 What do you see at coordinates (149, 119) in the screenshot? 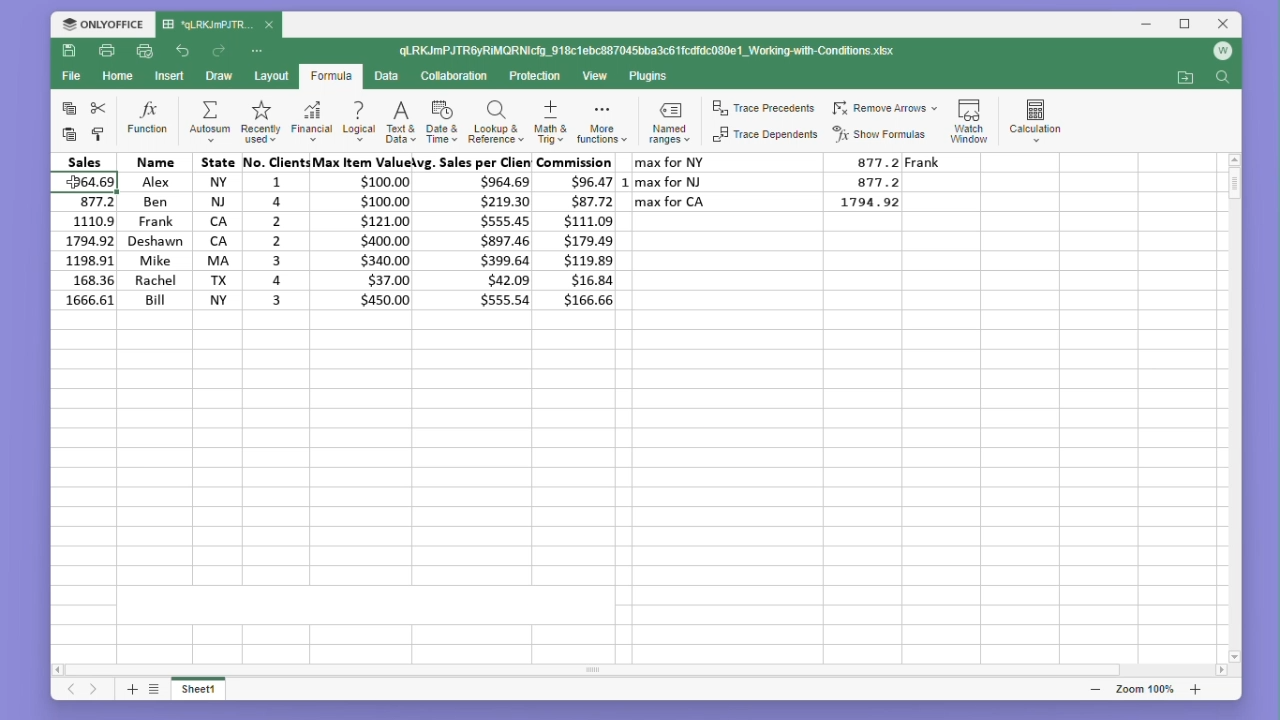
I see `Function` at bounding box center [149, 119].